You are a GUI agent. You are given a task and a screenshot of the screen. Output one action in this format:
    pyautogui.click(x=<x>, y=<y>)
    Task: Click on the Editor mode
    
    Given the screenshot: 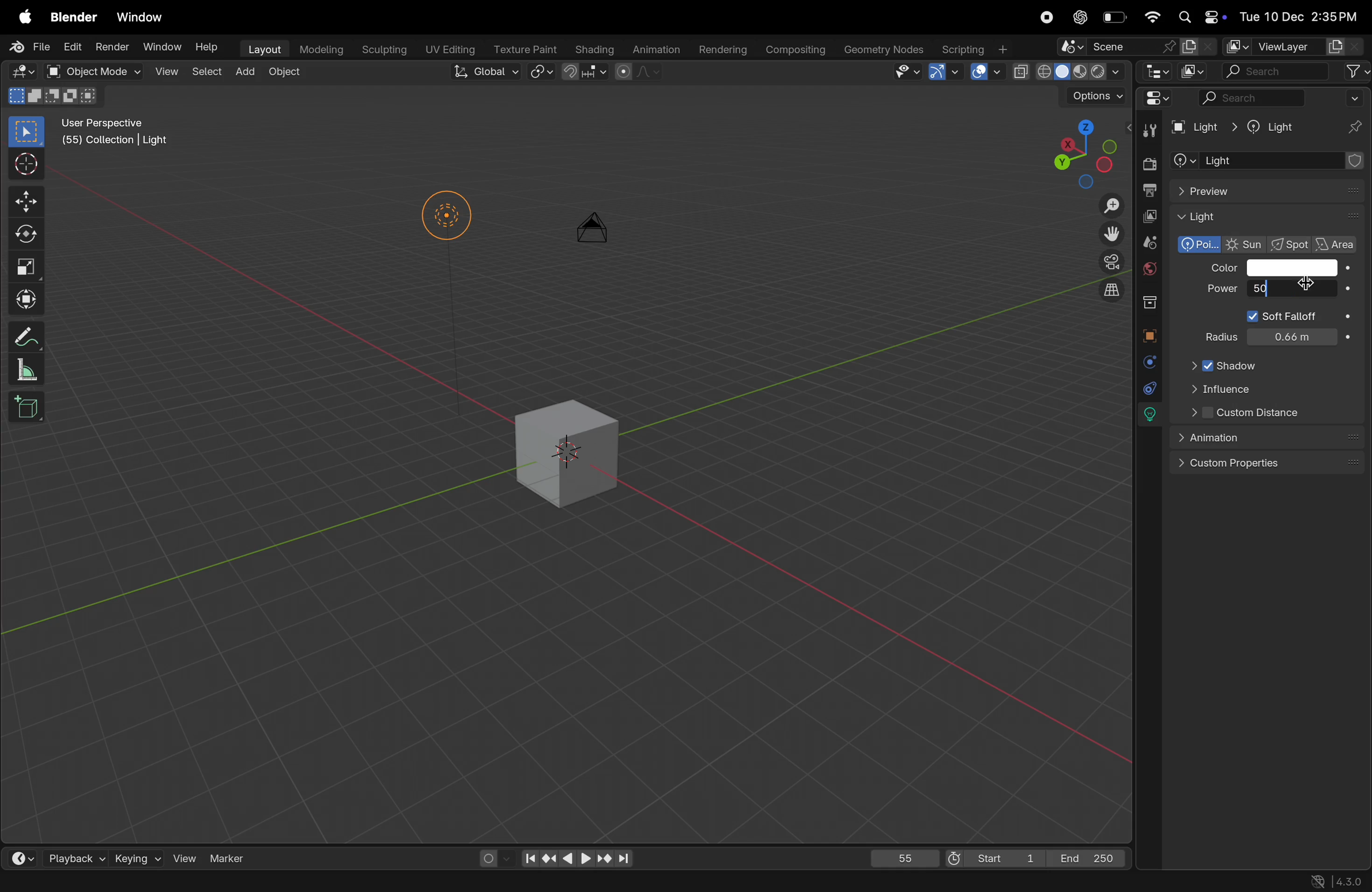 What is the action you would take?
    pyautogui.click(x=22, y=71)
    